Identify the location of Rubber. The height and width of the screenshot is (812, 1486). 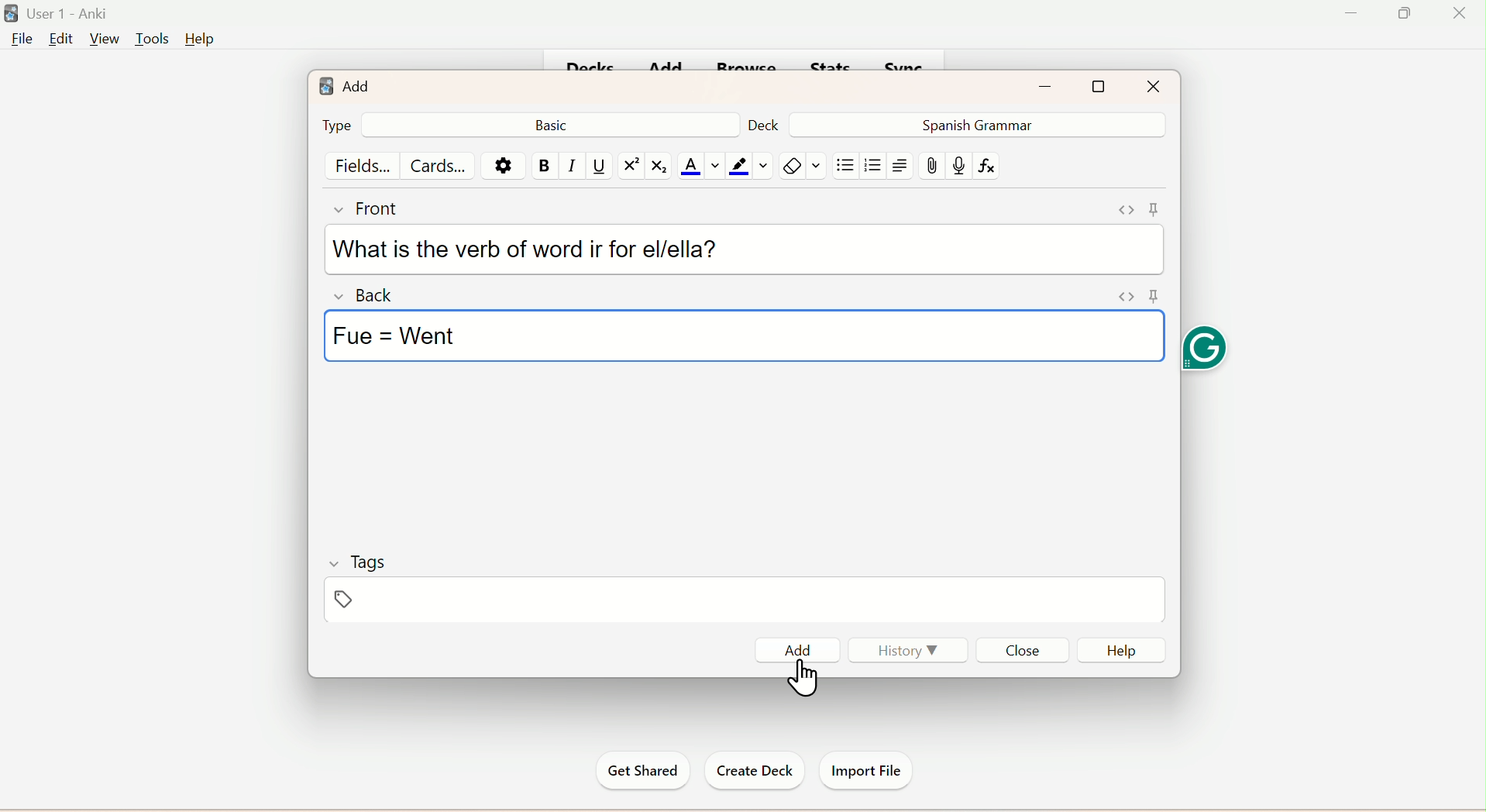
(805, 167).